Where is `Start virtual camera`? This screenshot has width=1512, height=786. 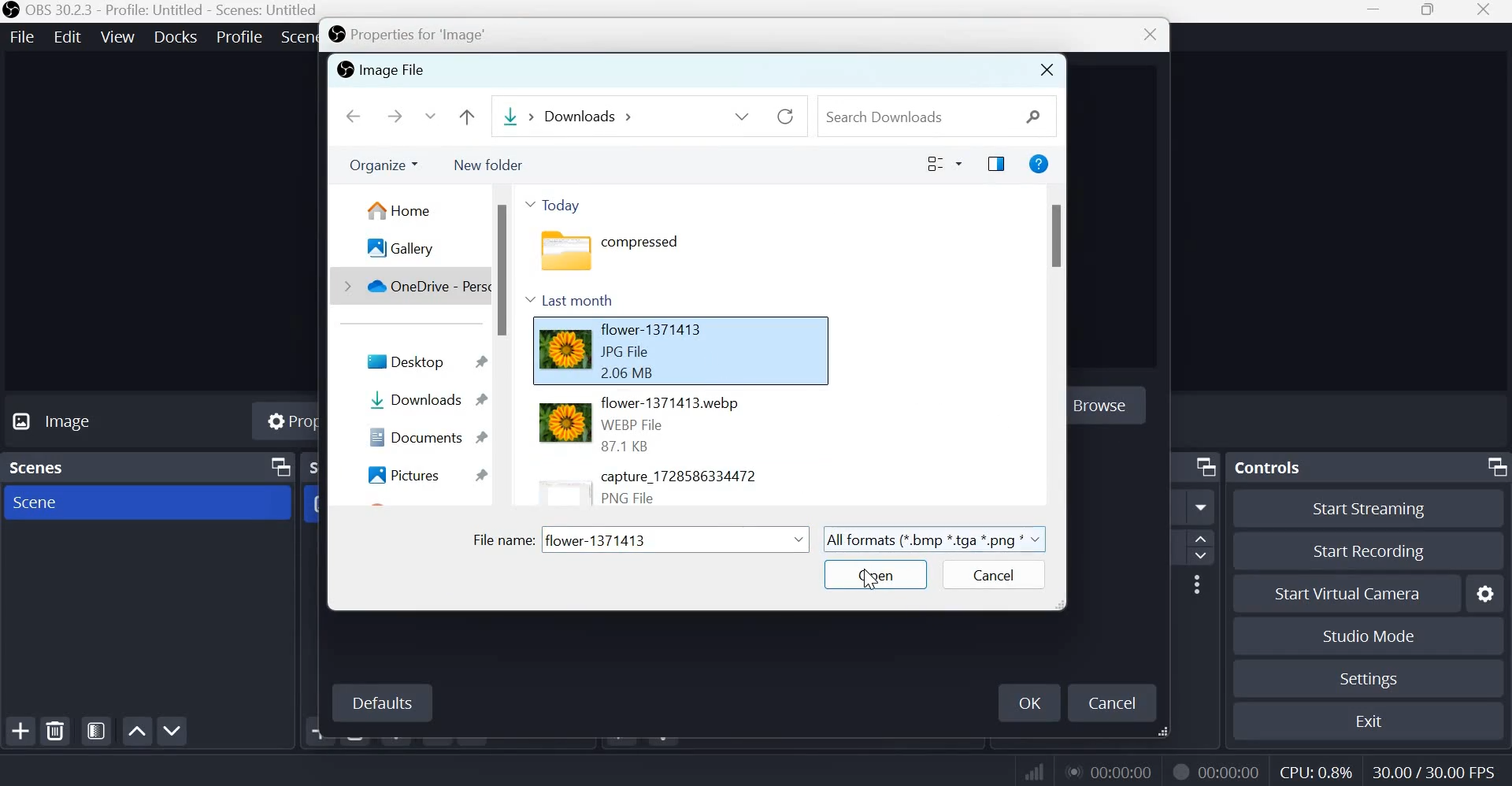 Start virtual camera is located at coordinates (1359, 591).